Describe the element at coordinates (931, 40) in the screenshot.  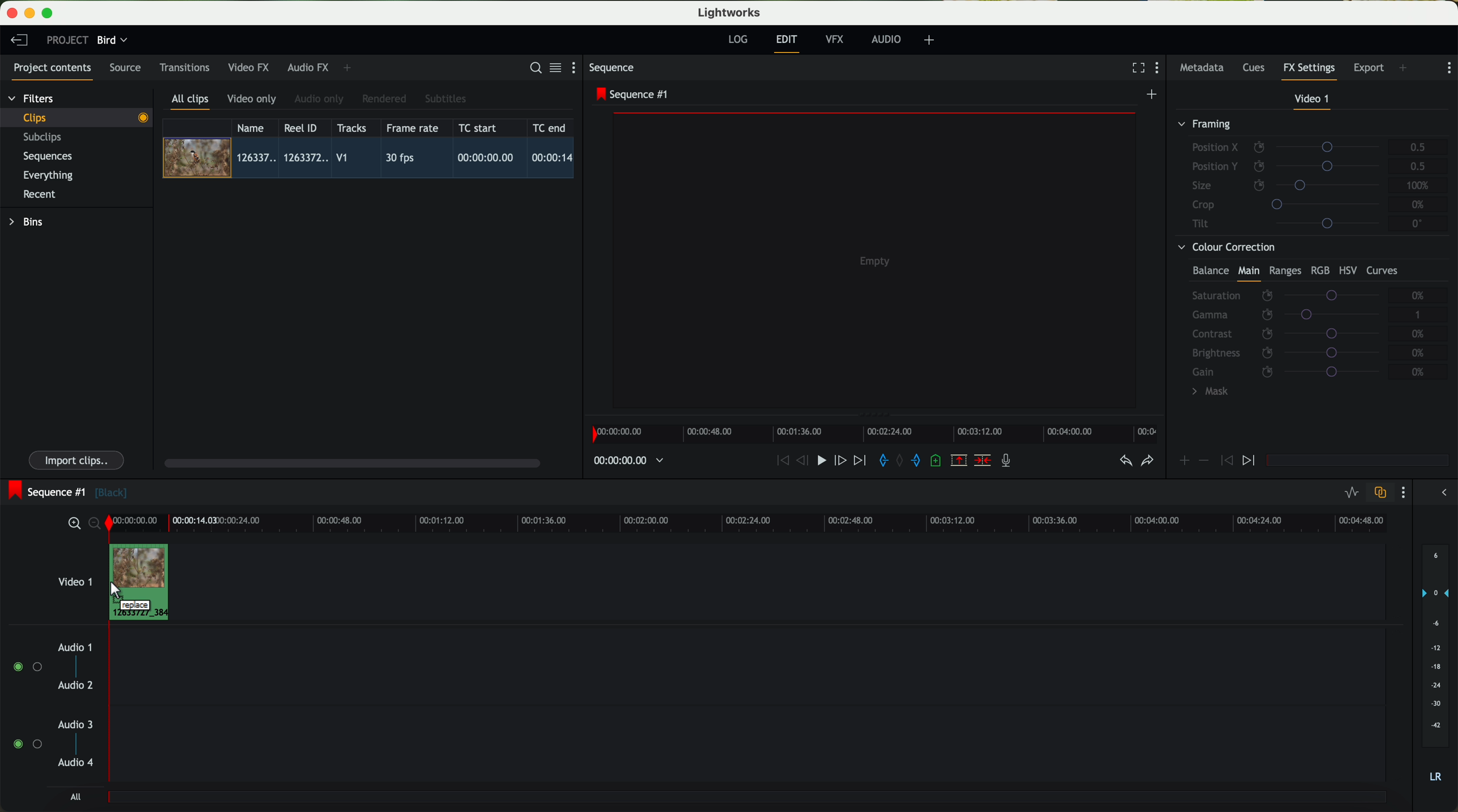
I see `add, remove and create layouts` at that location.